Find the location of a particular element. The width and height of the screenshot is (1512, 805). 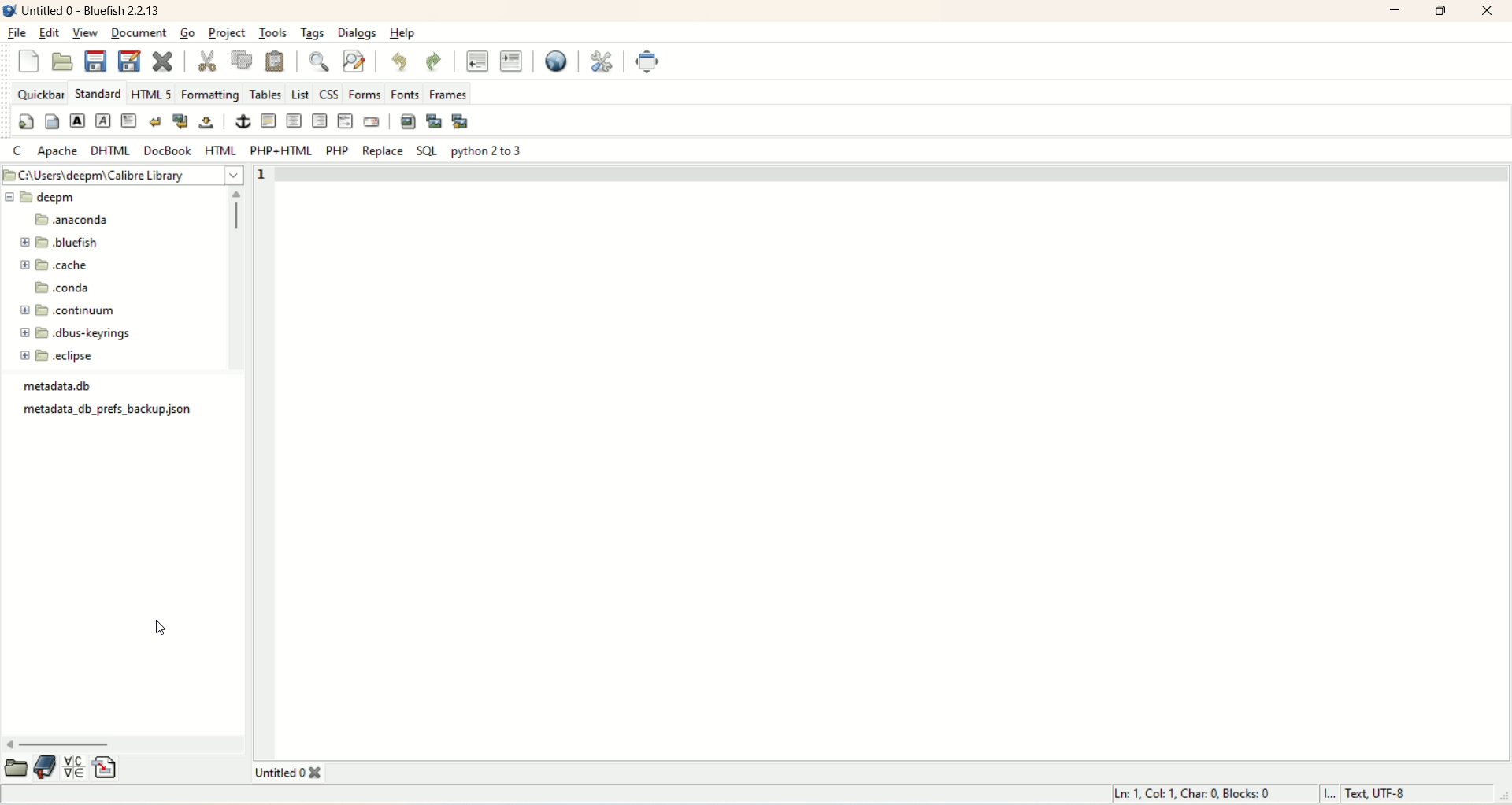

go is located at coordinates (187, 32).